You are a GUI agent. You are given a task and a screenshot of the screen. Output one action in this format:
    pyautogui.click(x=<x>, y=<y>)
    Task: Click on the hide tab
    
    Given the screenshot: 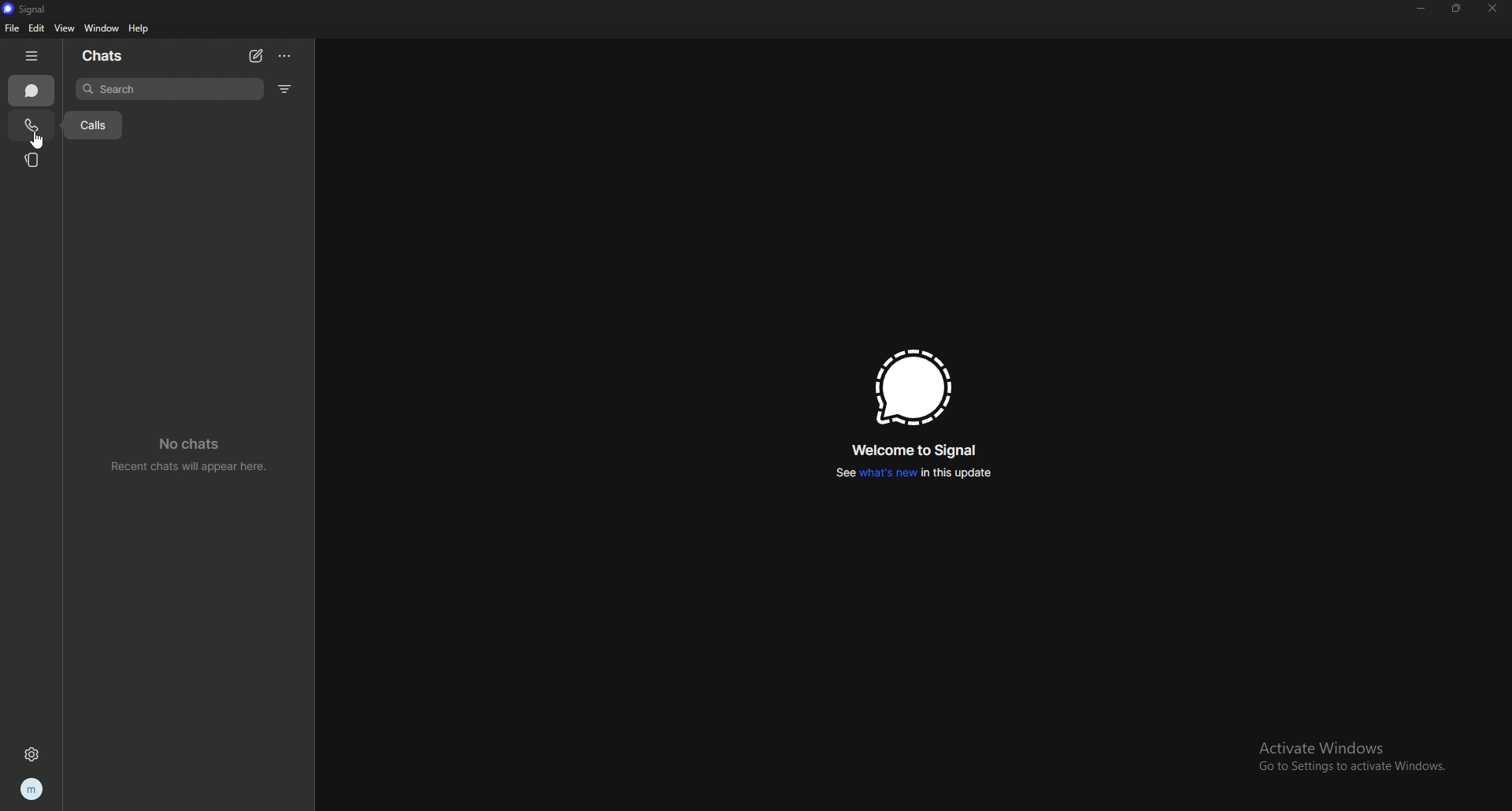 What is the action you would take?
    pyautogui.click(x=32, y=54)
    